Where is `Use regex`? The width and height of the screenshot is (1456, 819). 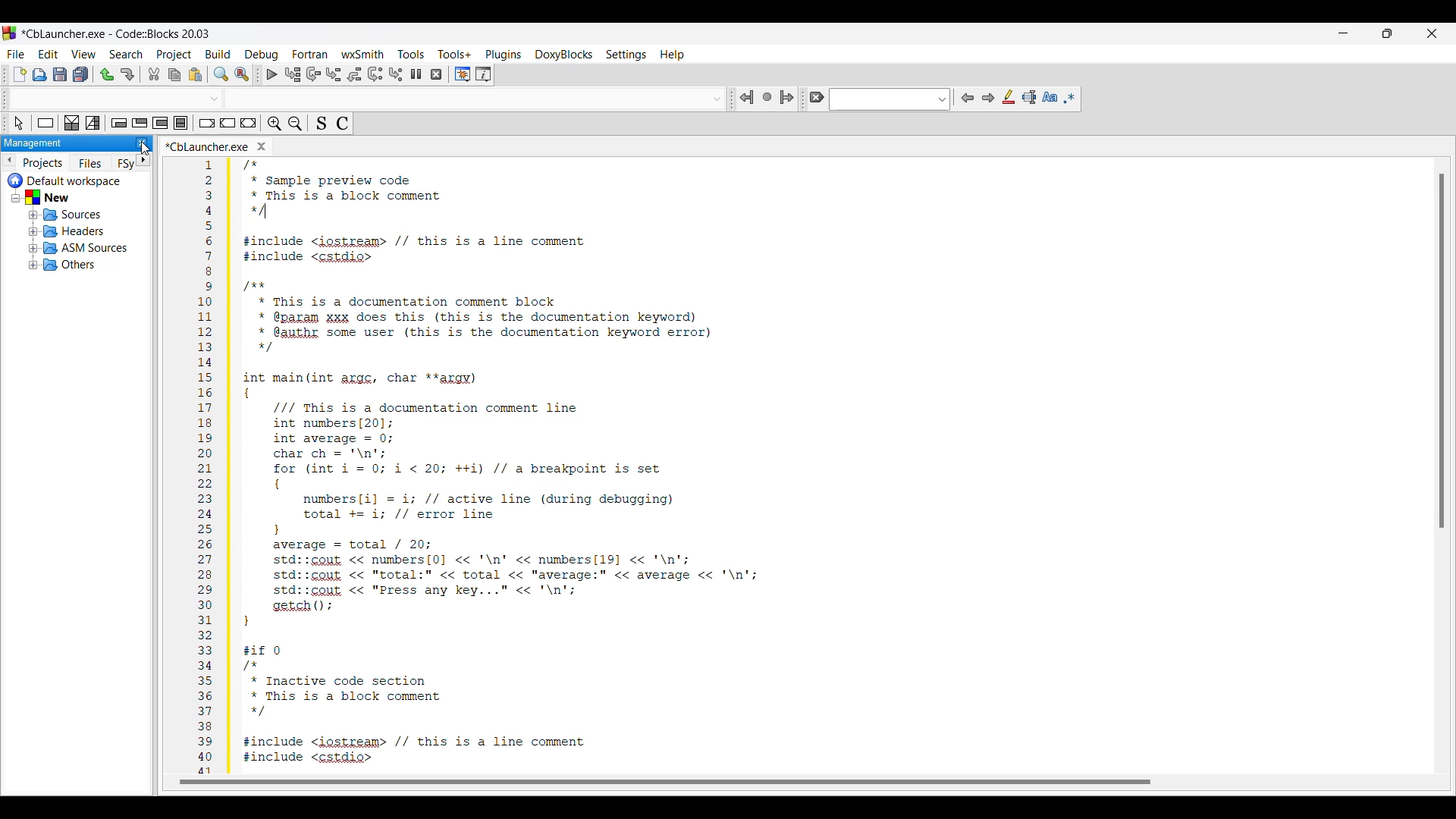
Use regex is located at coordinates (1070, 98).